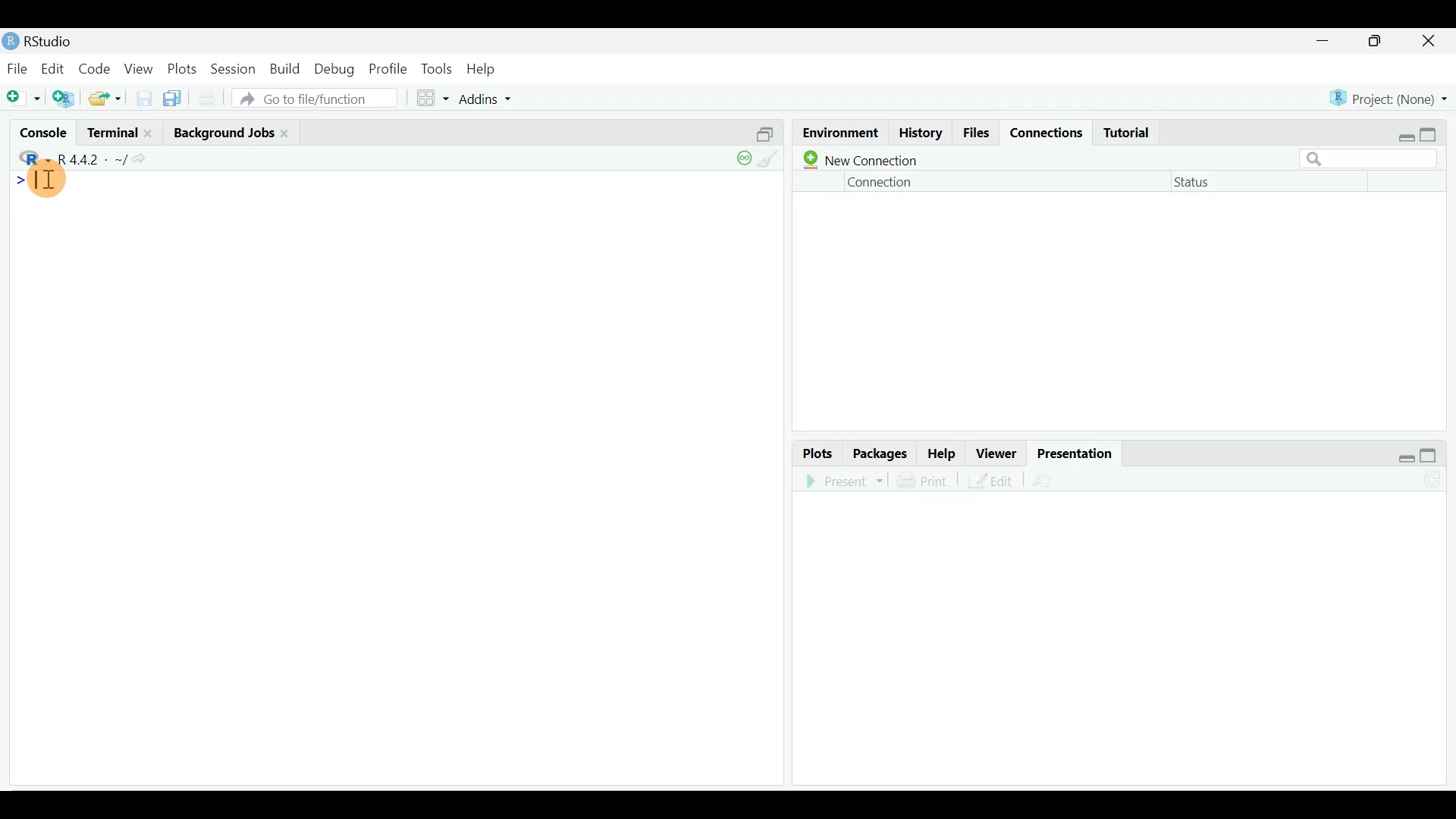 This screenshot has height=819, width=1456. Describe the element at coordinates (17, 67) in the screenshot. I see `File` at that location.